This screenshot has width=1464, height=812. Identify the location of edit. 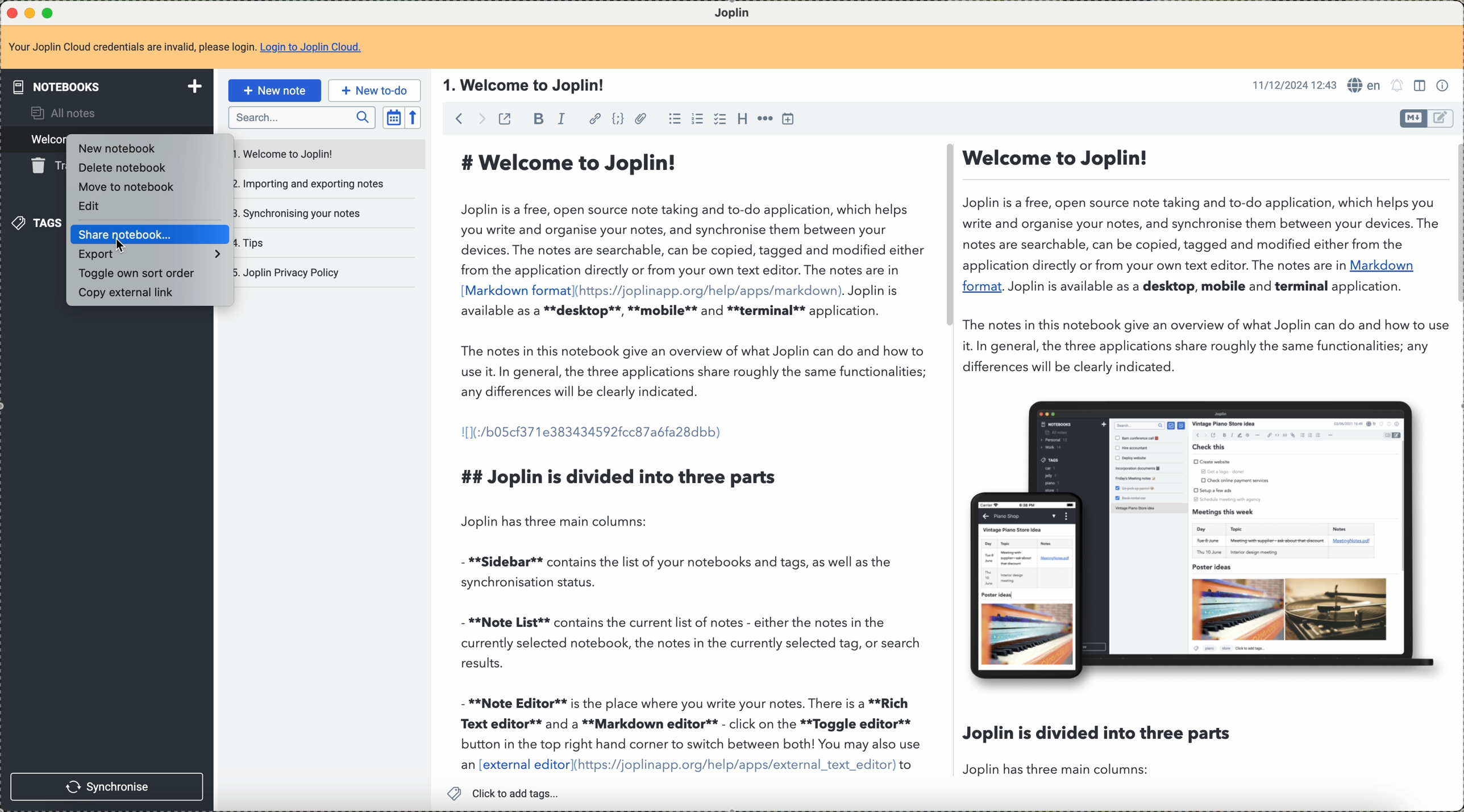
(95, 206).